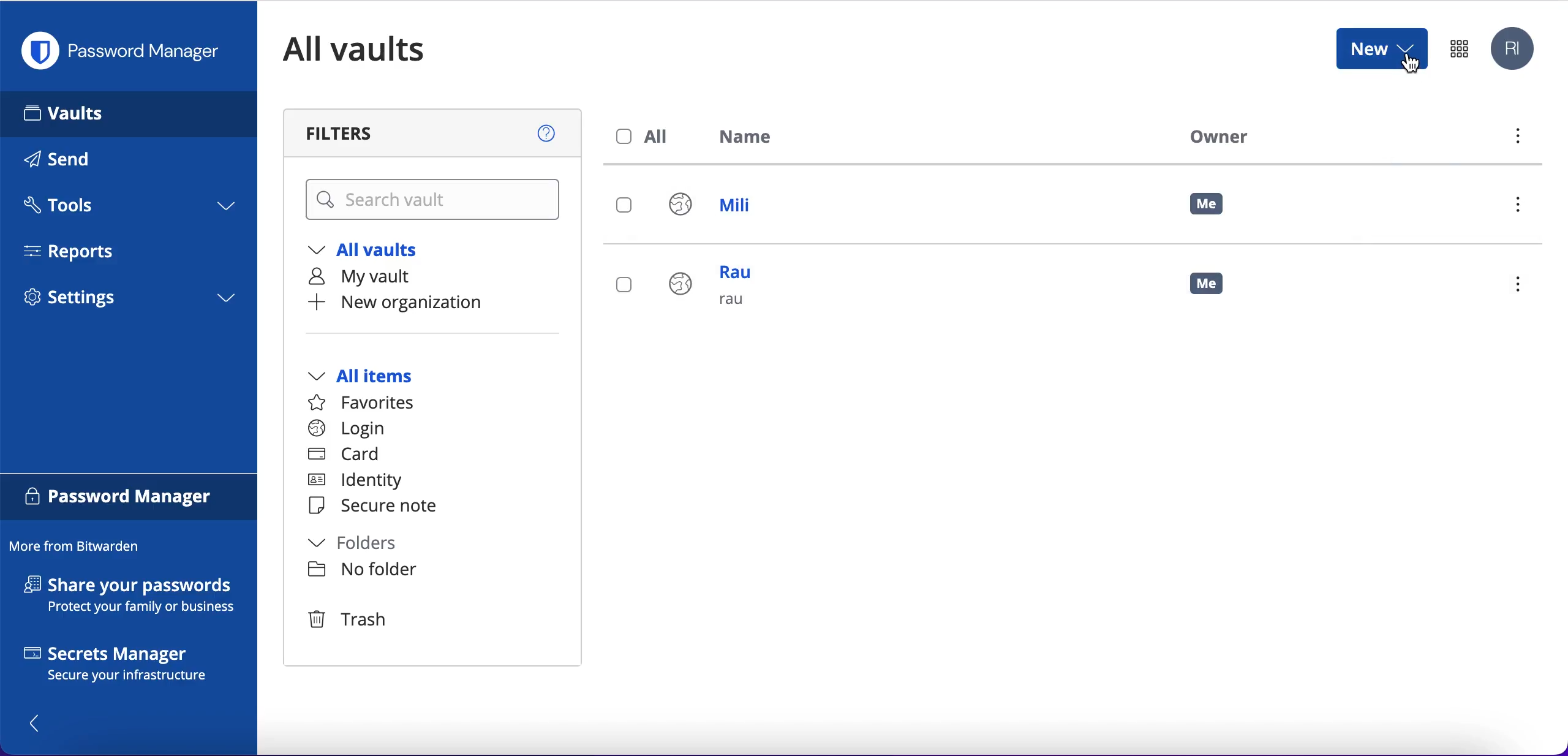  Describe the element at coordinates (372, 278) in the screenshot. I see `my vault` at that location.